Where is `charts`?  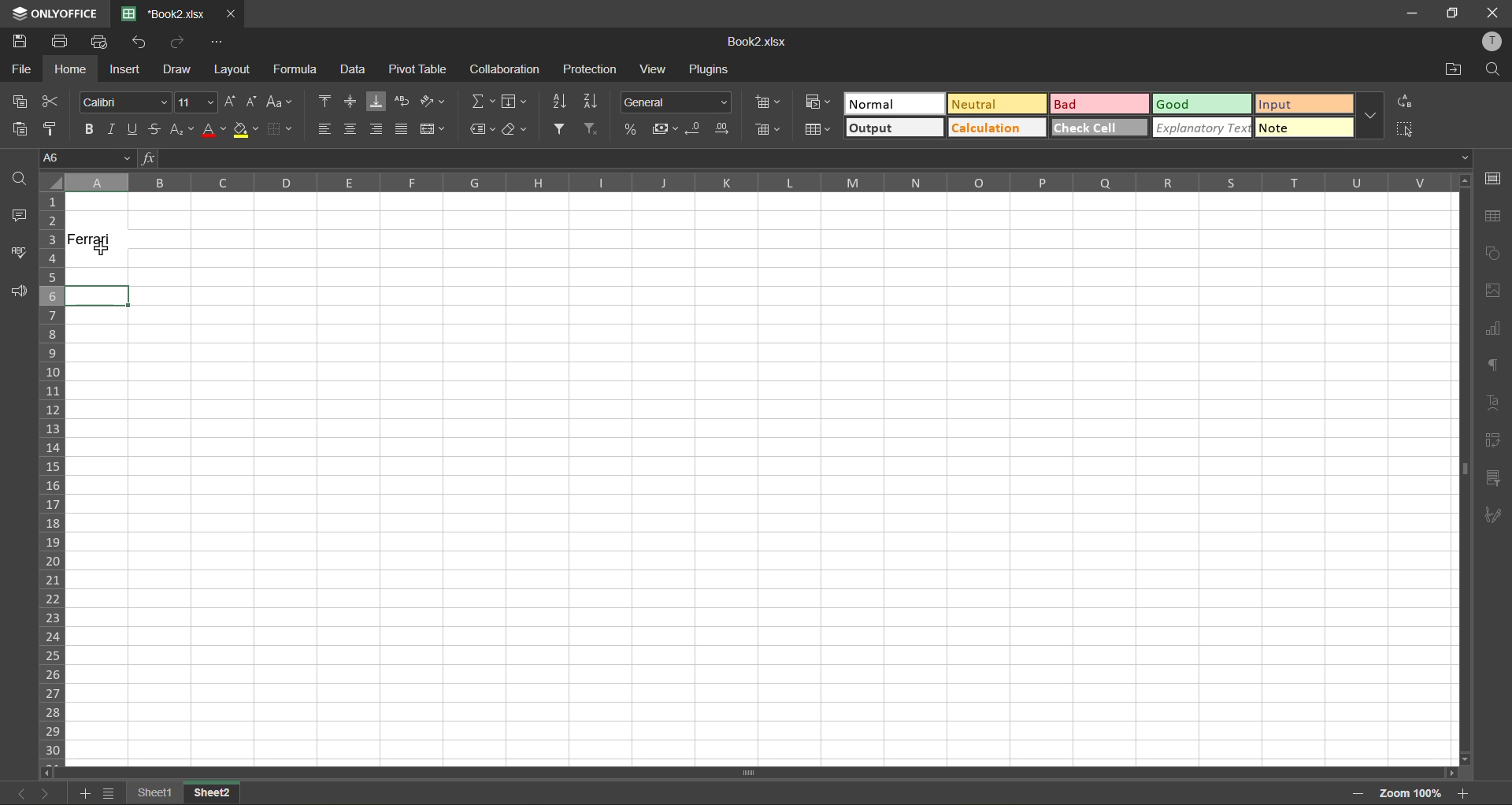 charts is located at coordinates (1491, 328).